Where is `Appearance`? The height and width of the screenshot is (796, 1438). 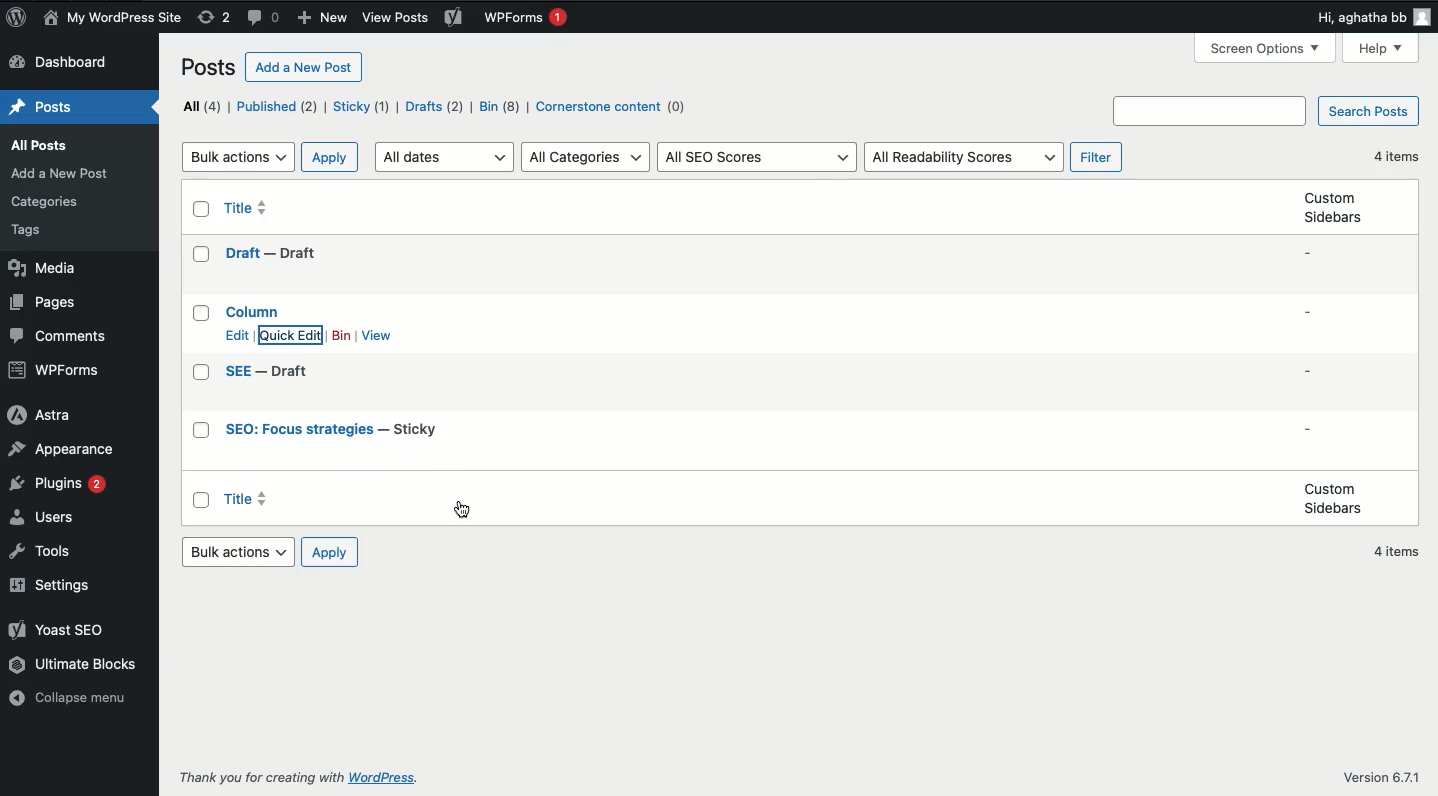 Appearance is located at coordinates (71, 450).